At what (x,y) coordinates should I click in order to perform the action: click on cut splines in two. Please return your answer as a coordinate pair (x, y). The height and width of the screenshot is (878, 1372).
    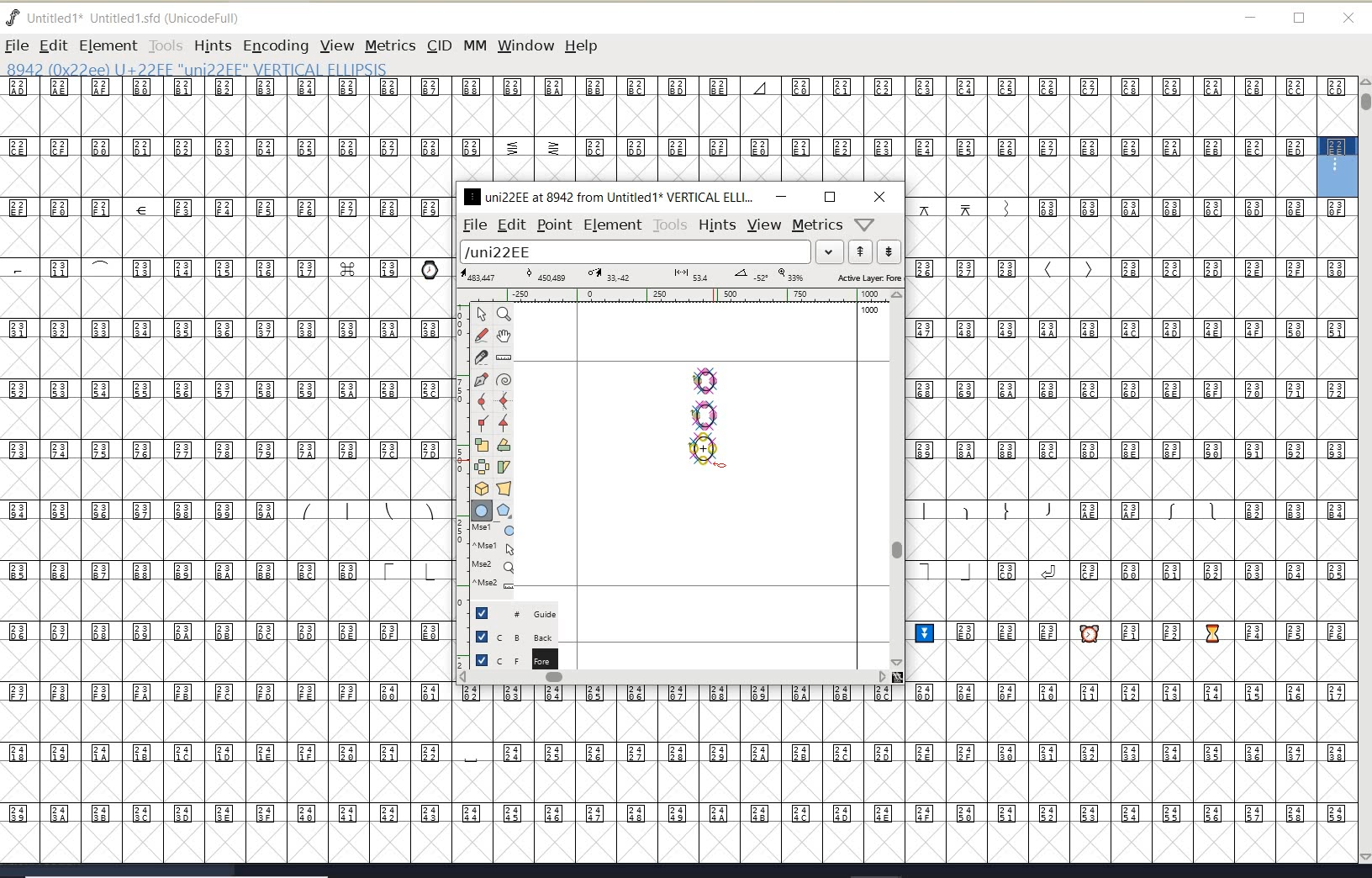
    Looking at the image, I should click on (481, 357).